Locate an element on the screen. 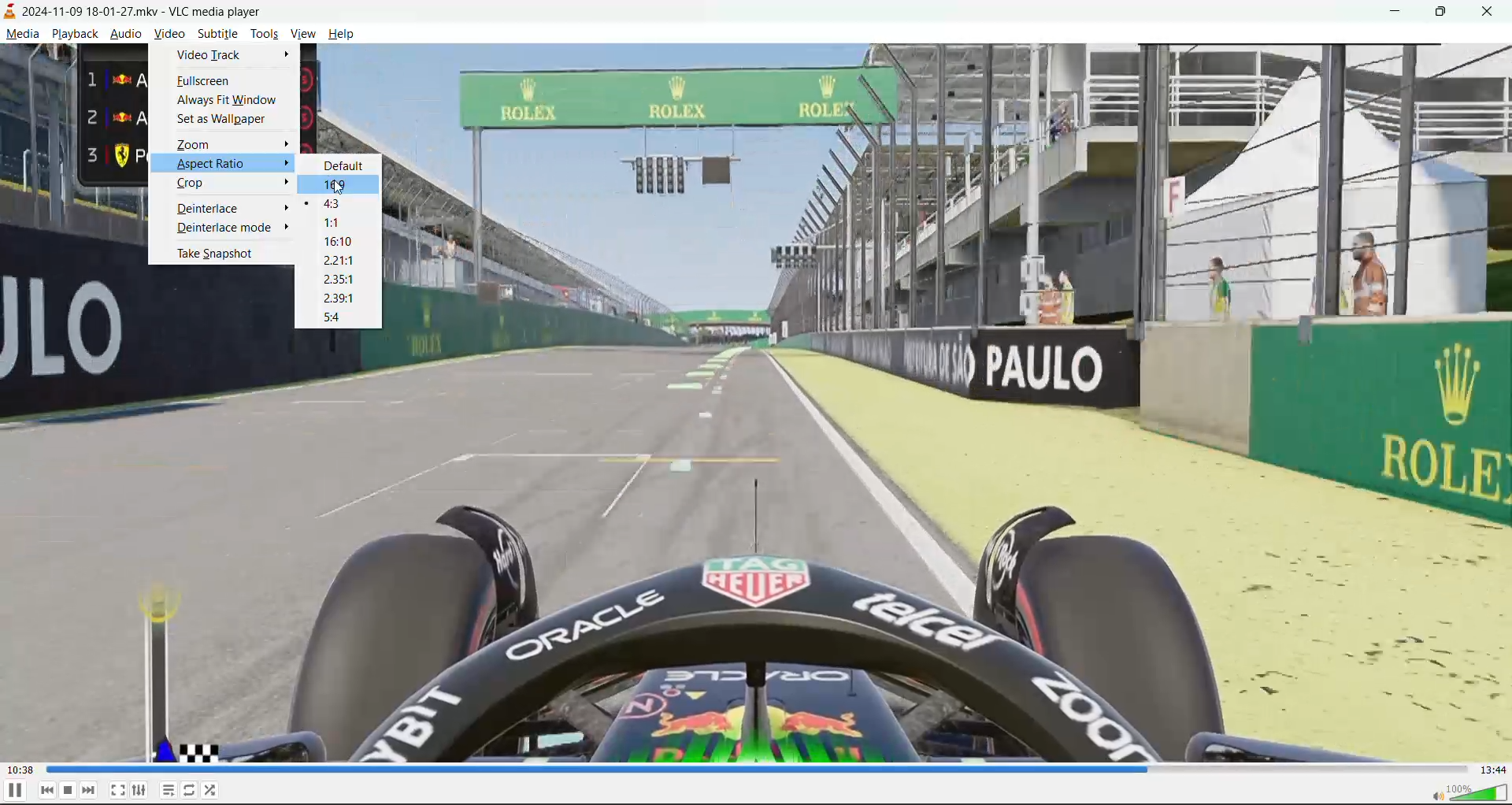  subtitle is located at coordinates (218, 34).